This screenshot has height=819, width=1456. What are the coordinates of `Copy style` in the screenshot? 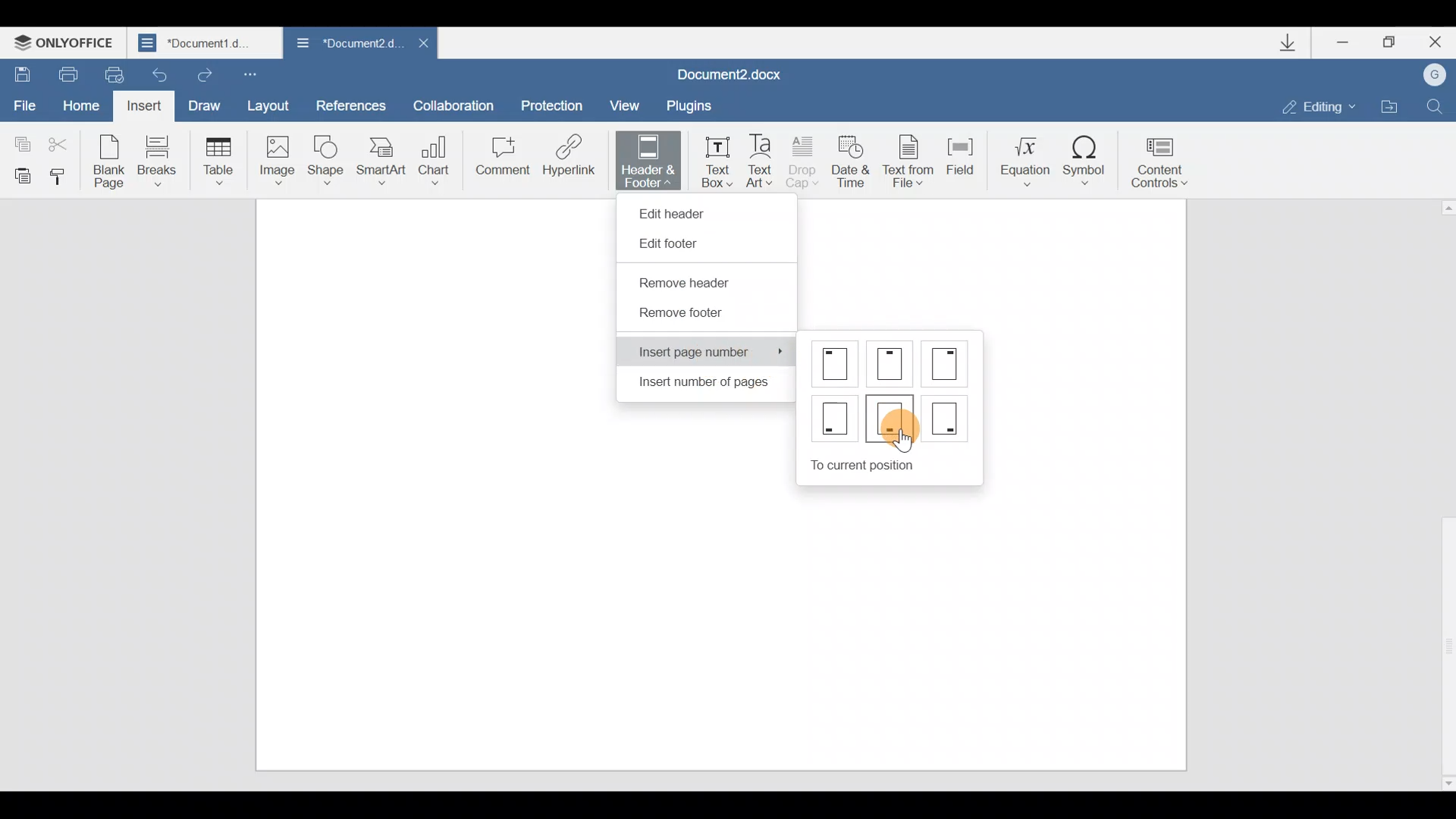 It's located at (64, 176).